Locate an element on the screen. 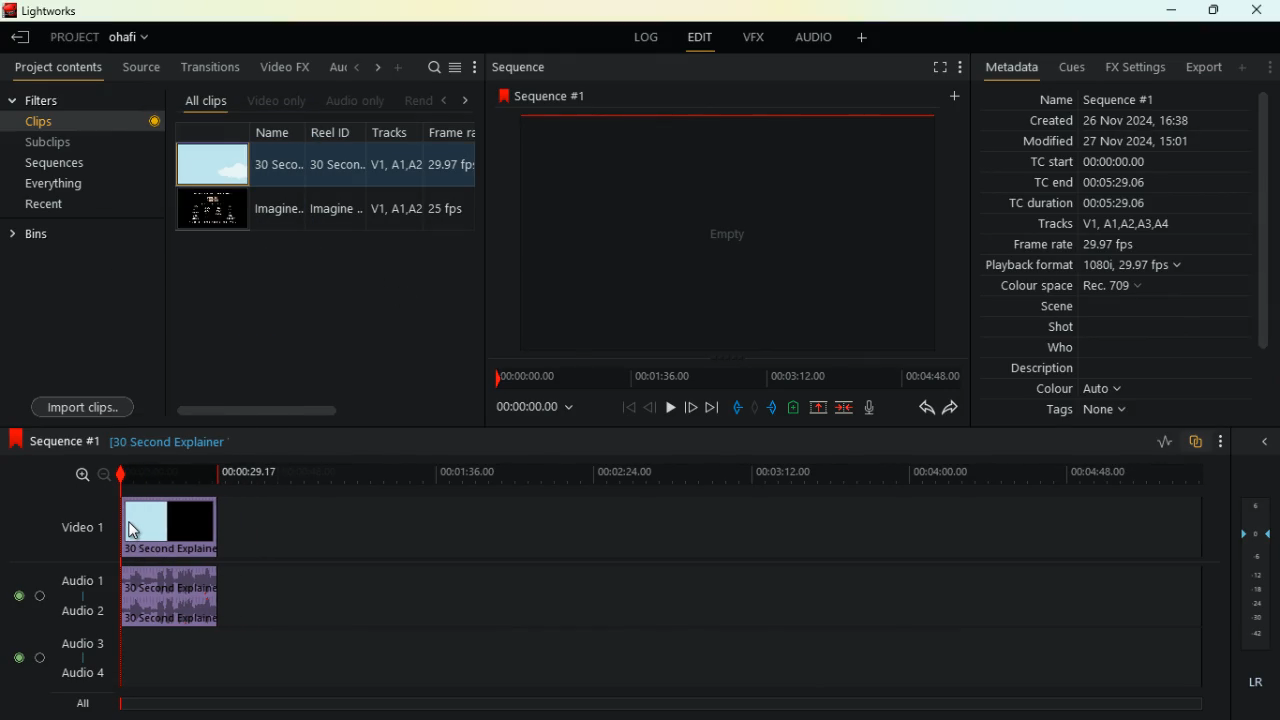 Image resolution: width=1280 pixels, height=720 pixels. merge is located at coordinates (843, 407).